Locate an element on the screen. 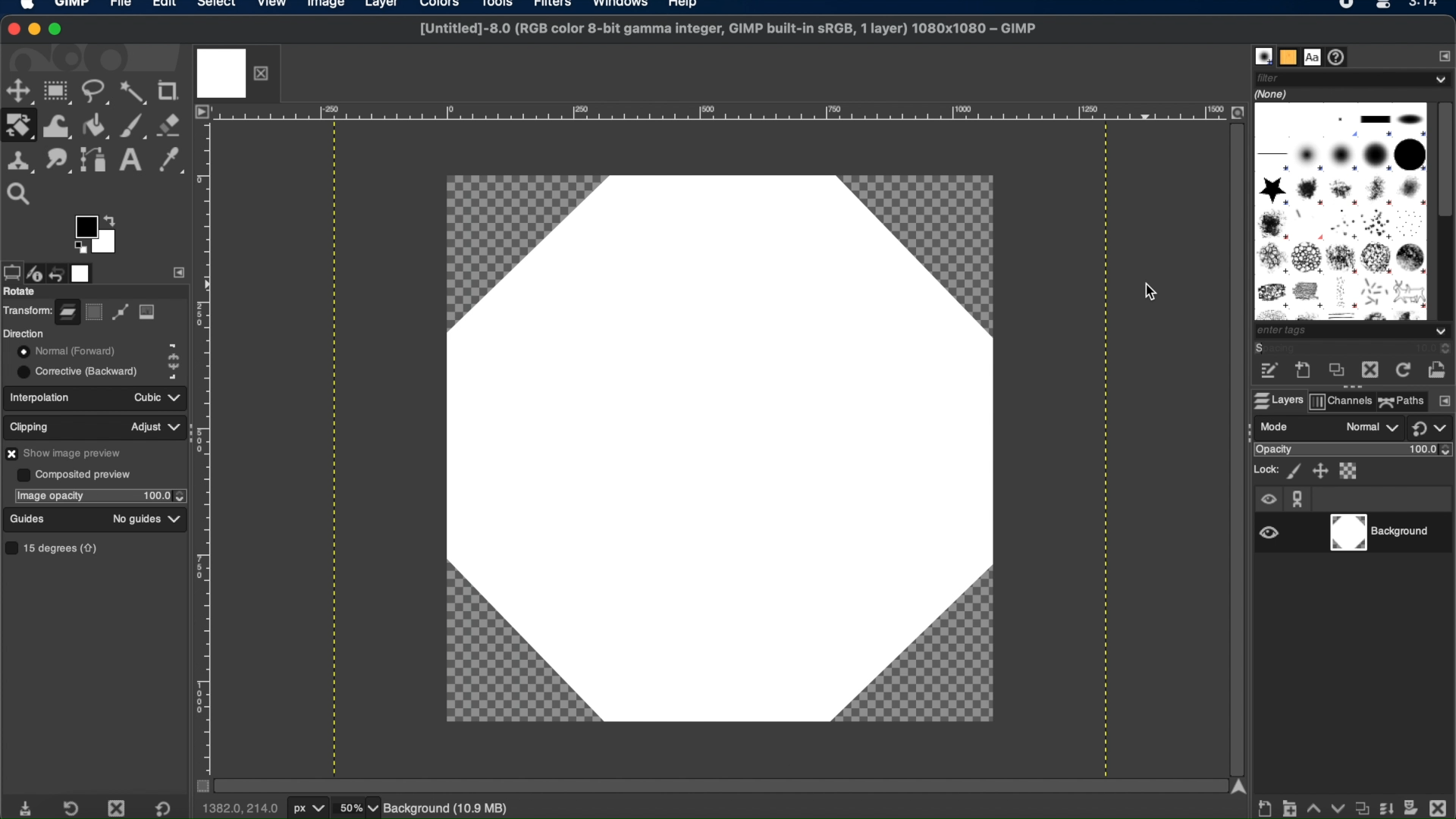  scroll box is located at coordinates (1446, 162).